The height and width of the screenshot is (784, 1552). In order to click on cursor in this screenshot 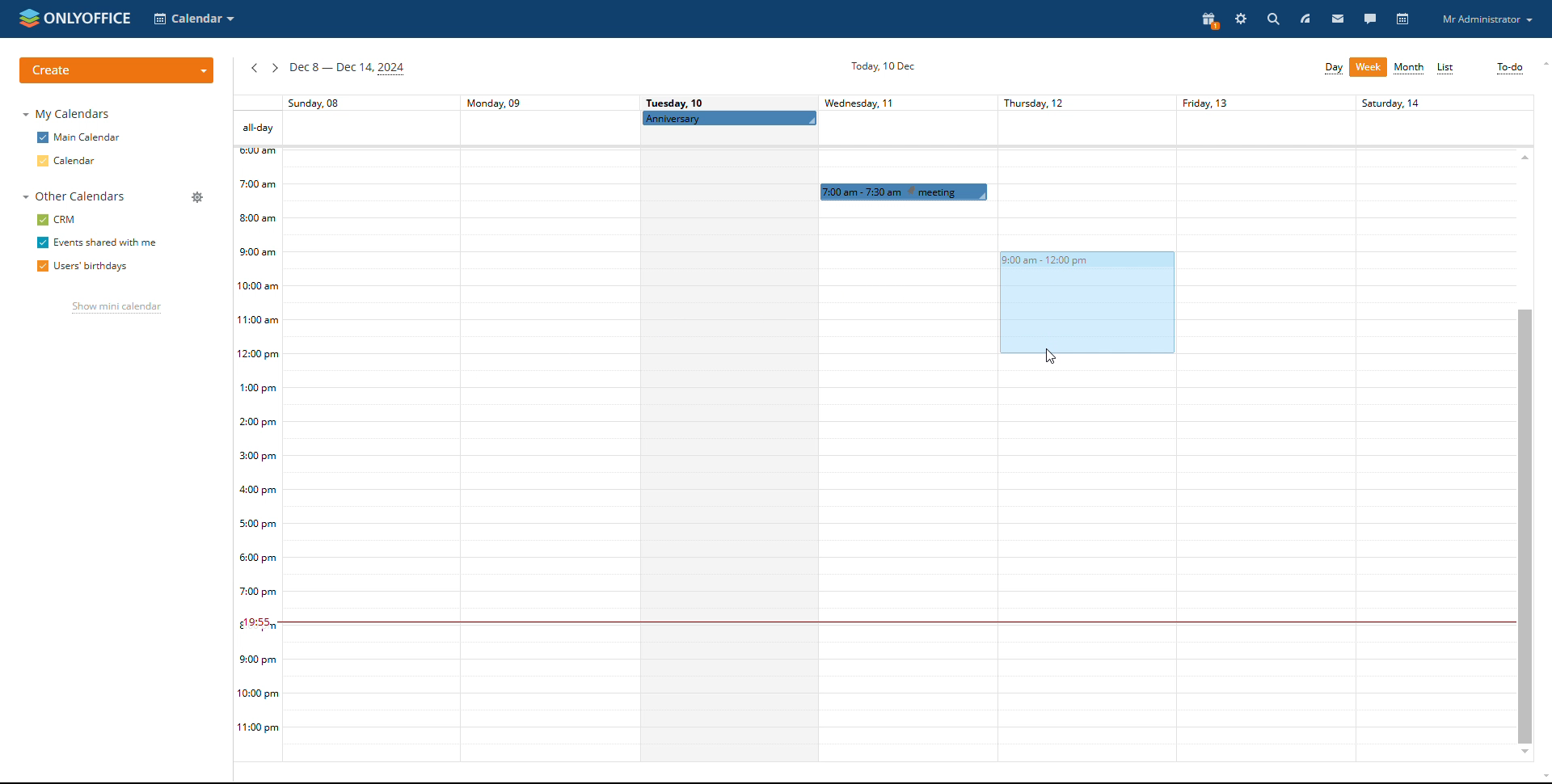, I will do `click(1052, 359)`.